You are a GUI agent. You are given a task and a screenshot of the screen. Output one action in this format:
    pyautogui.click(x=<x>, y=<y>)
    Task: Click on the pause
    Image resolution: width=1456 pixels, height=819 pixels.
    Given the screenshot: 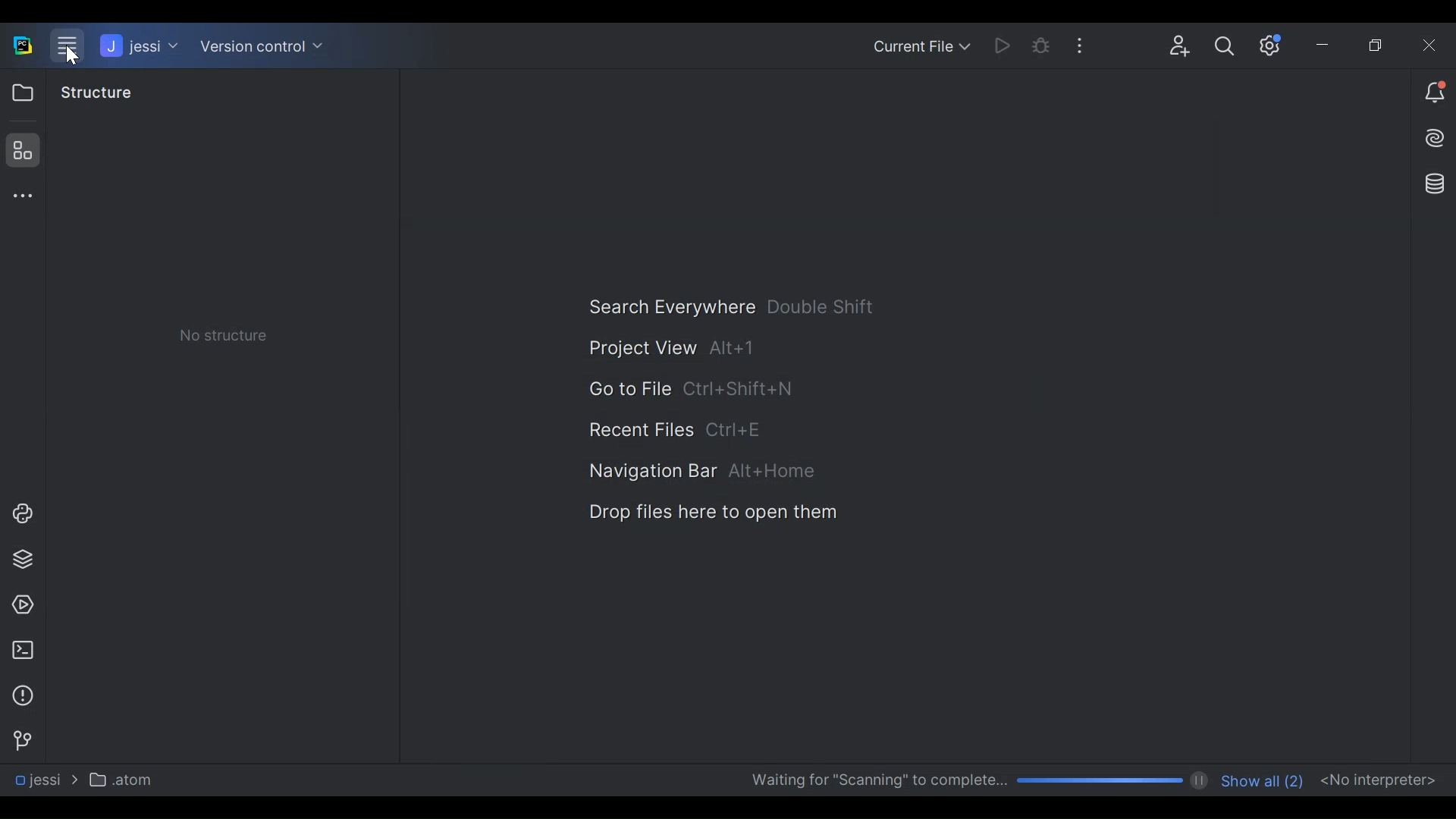 What is the action you would take?
    pyautogui.click(x=1202, y=779)
    